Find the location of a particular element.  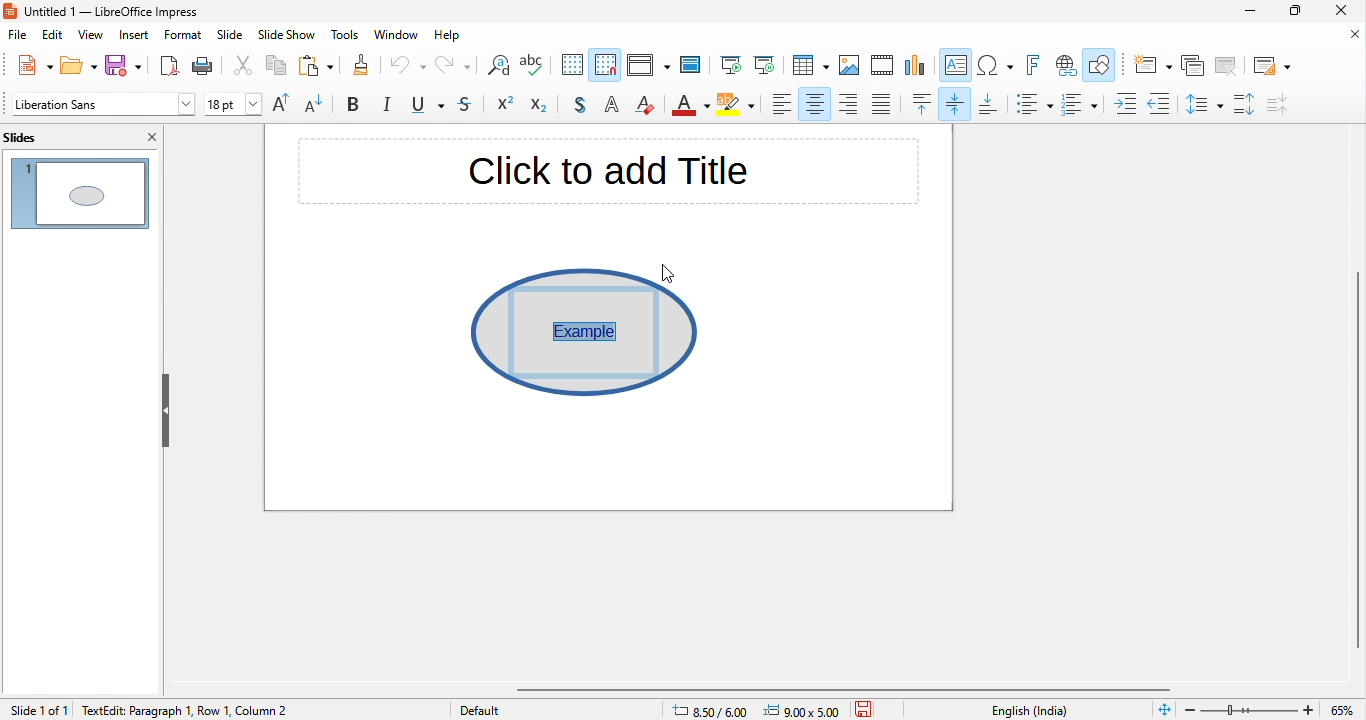

save the document is located at coordinates (870, 708).